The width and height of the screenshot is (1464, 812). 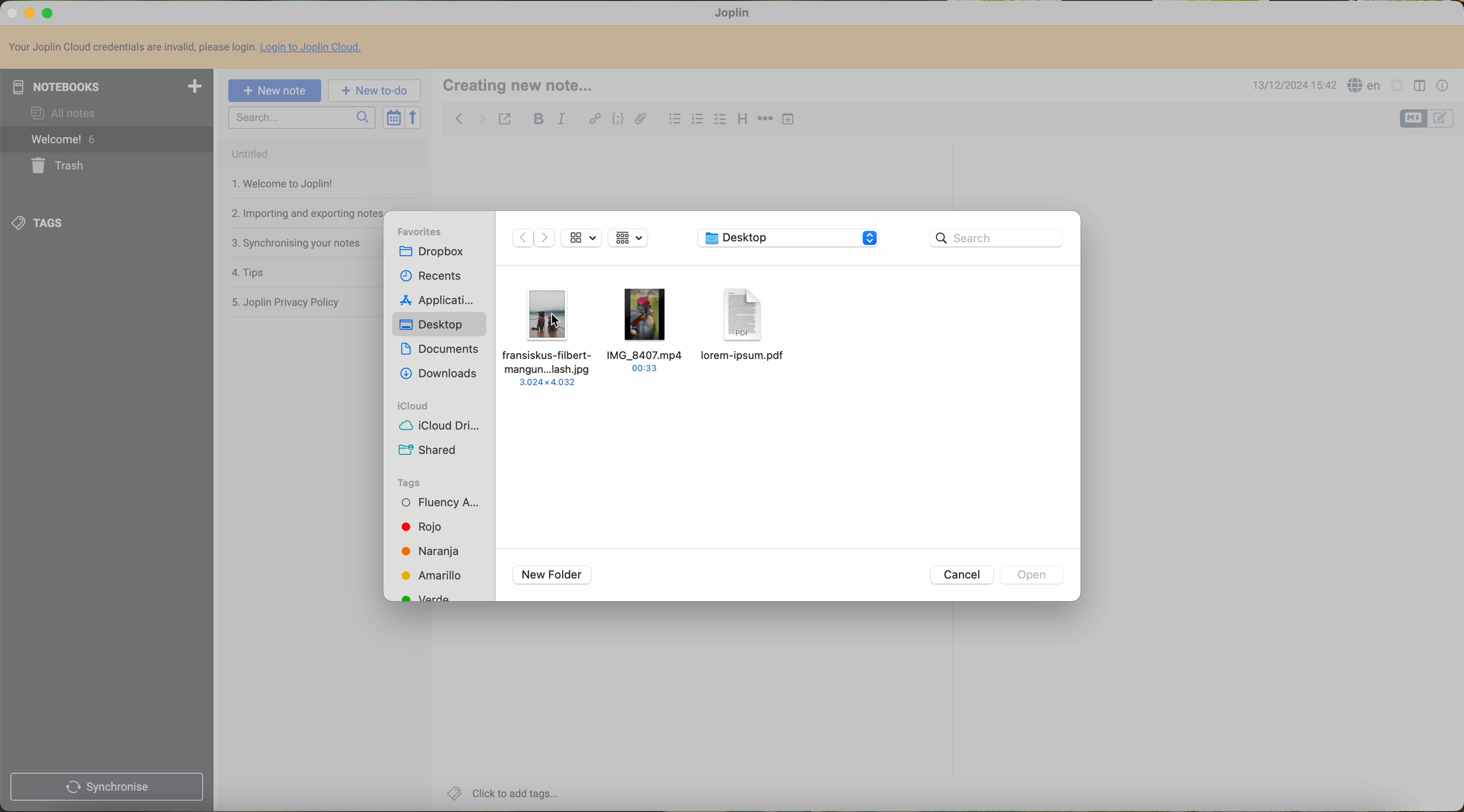 What do you see at coordinates (766, 119) in the screenshot?
I see `horizontal rule` at bounding box center [766, 119].